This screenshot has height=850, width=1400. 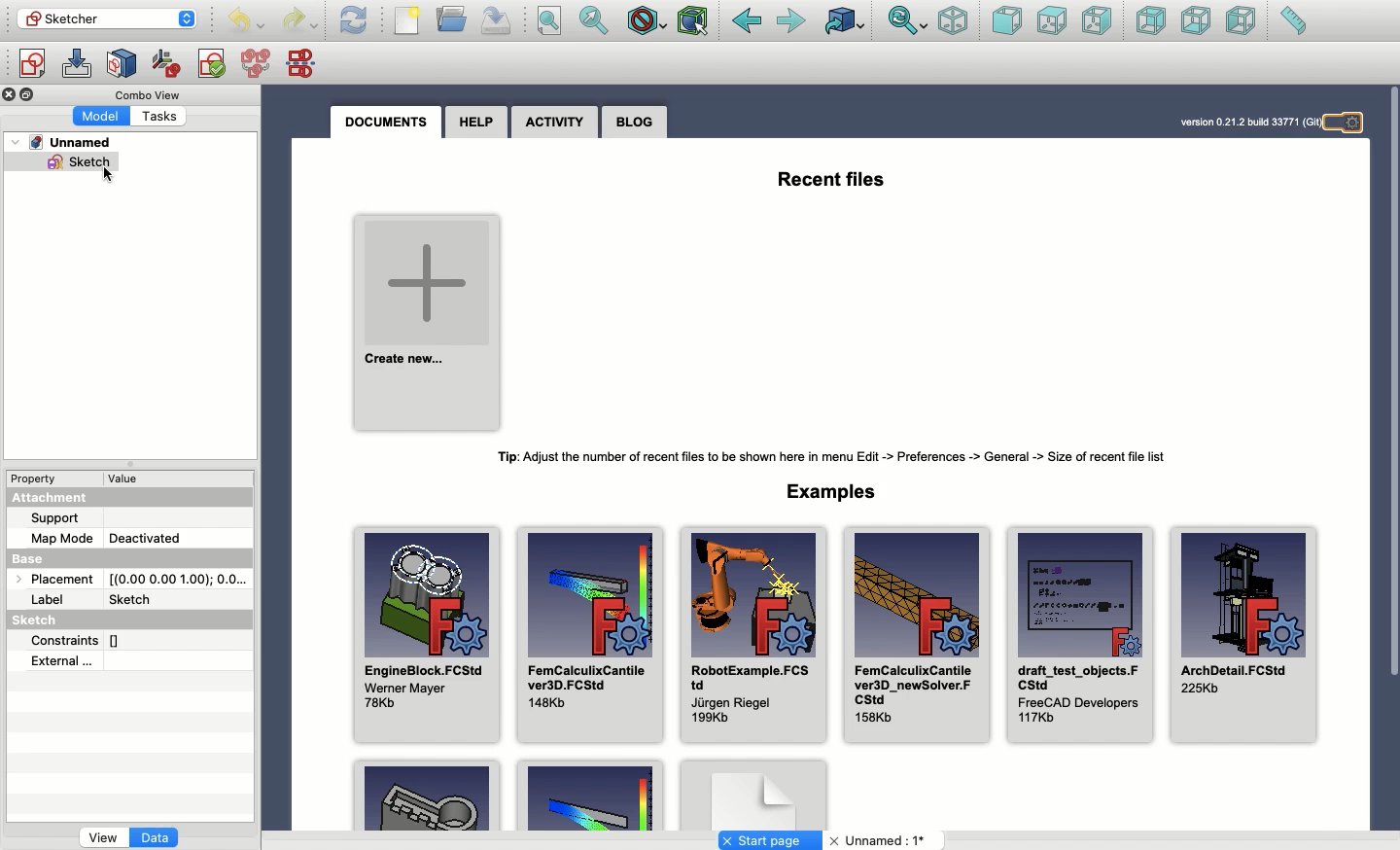 I want to click on Front, so click(x=1007, y=22).